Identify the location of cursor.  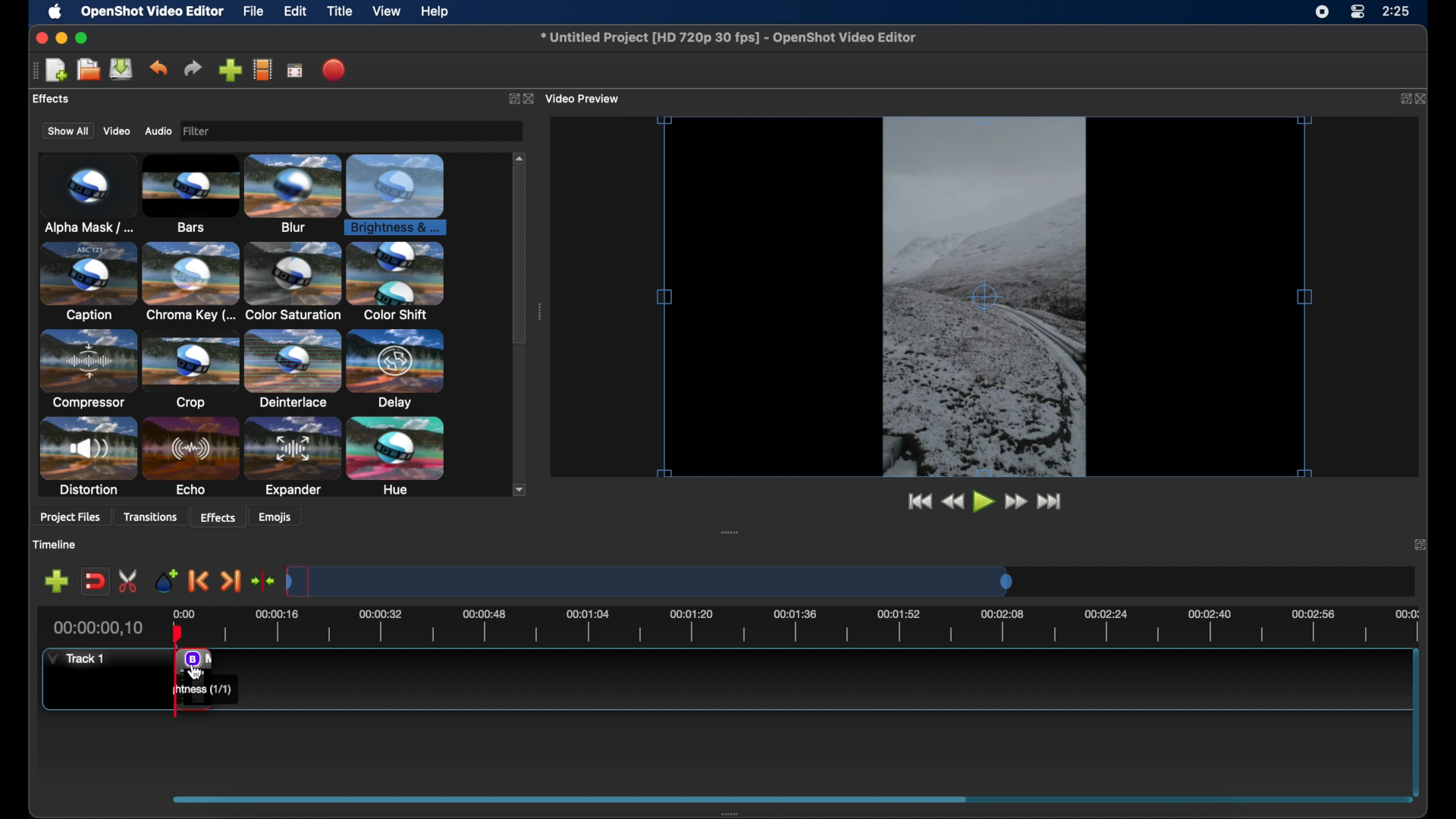
(196, 670).